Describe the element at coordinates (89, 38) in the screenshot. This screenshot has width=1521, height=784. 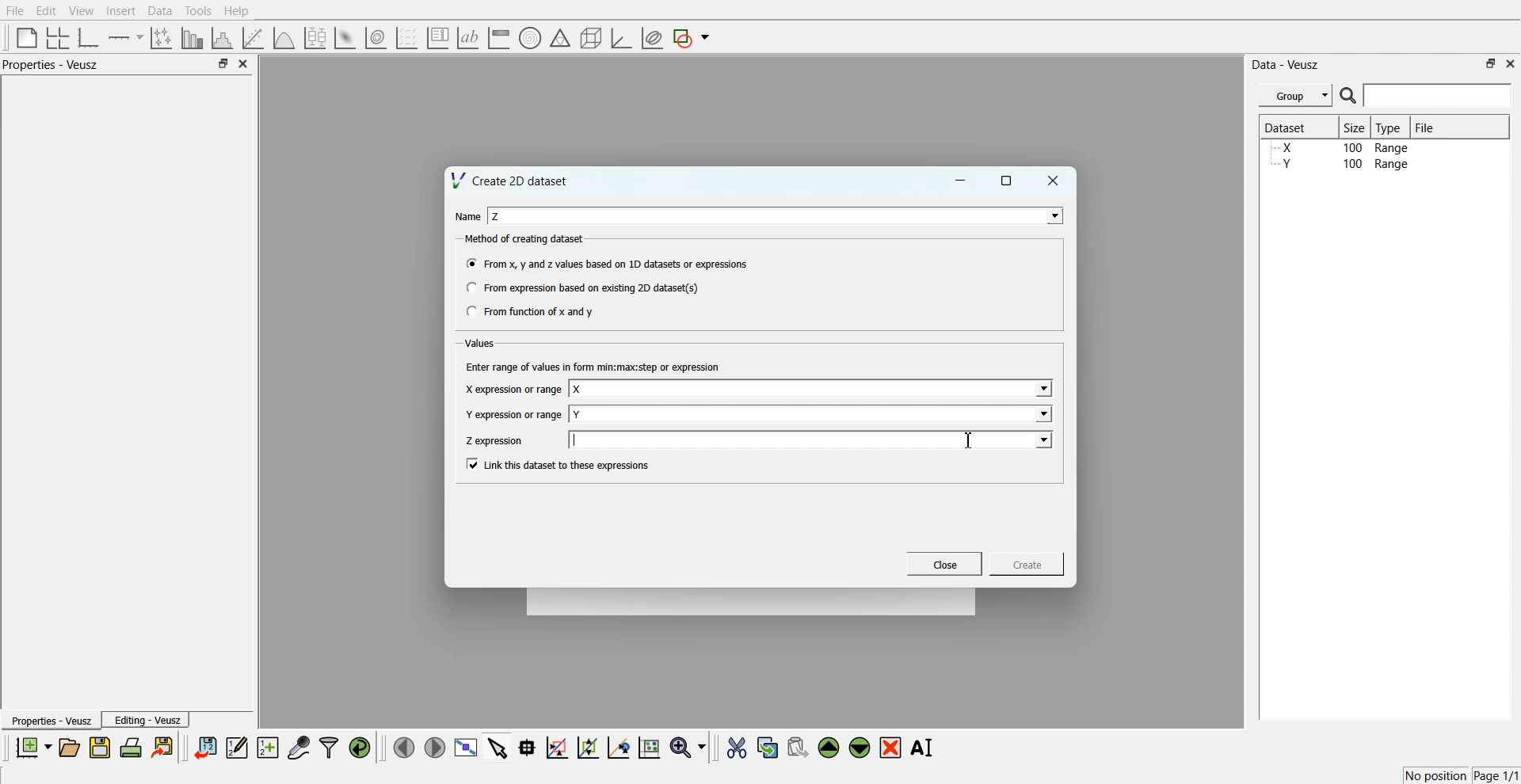
I see `Base Graph` at that location.